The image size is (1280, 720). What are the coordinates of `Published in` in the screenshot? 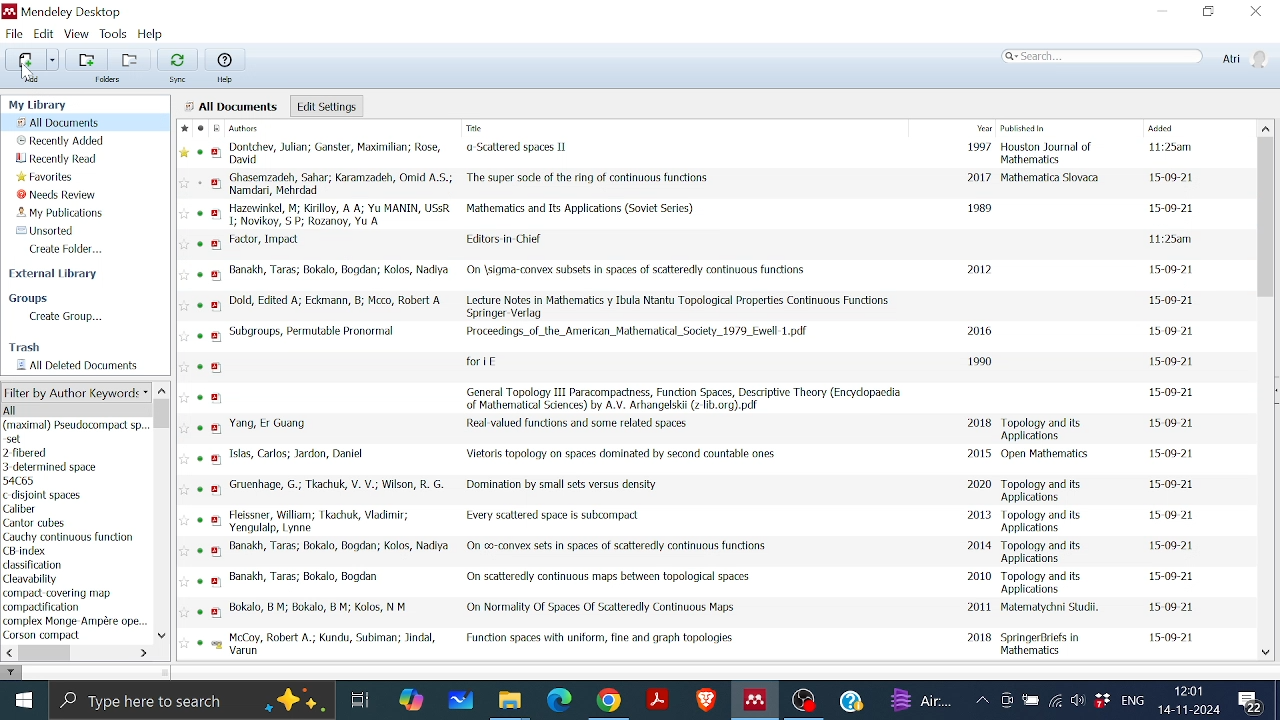 It's located at (1052, 176).